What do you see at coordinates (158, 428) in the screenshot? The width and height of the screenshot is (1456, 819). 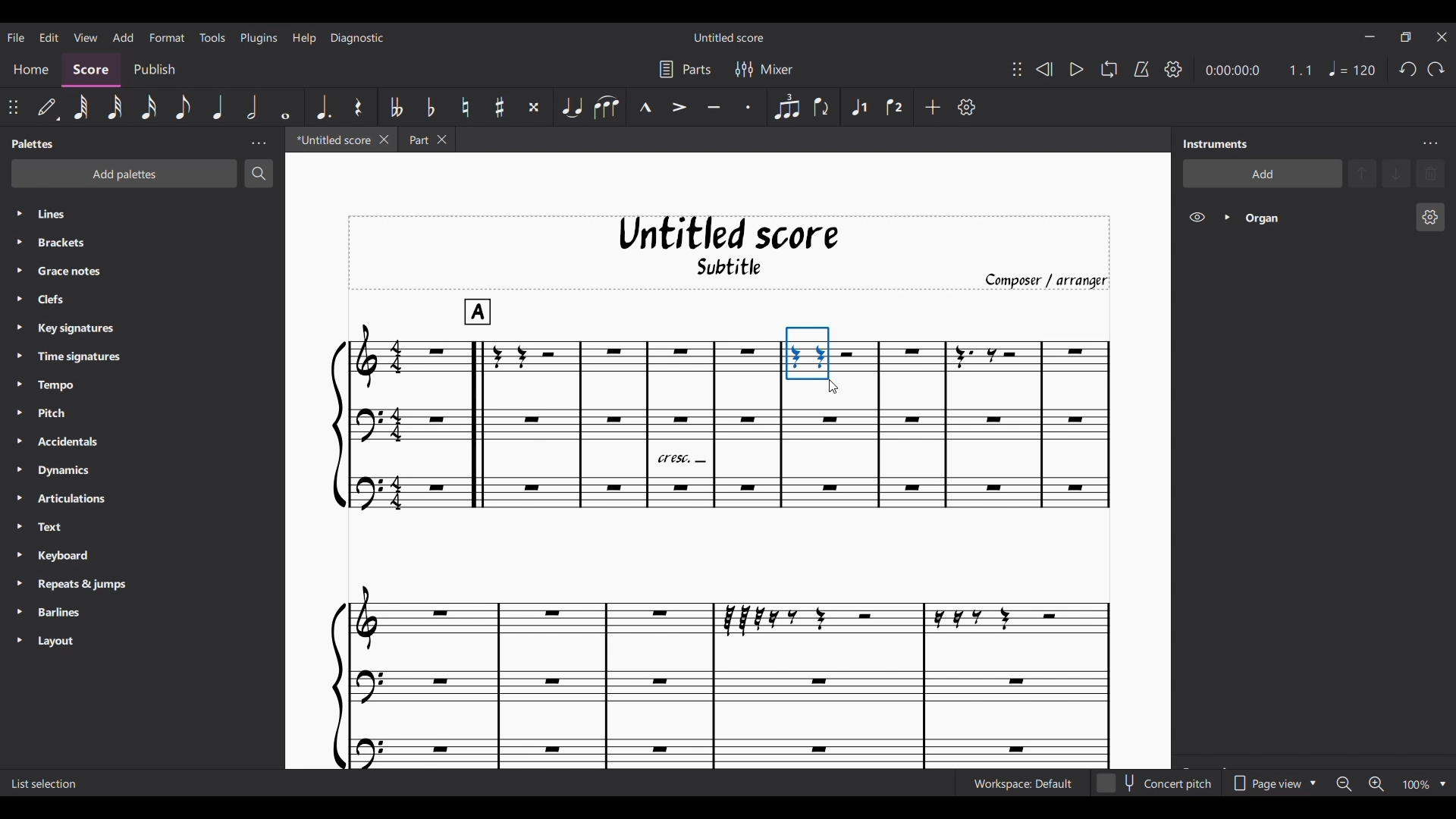 I see `List of palettes` at bounding box center [158, 428].